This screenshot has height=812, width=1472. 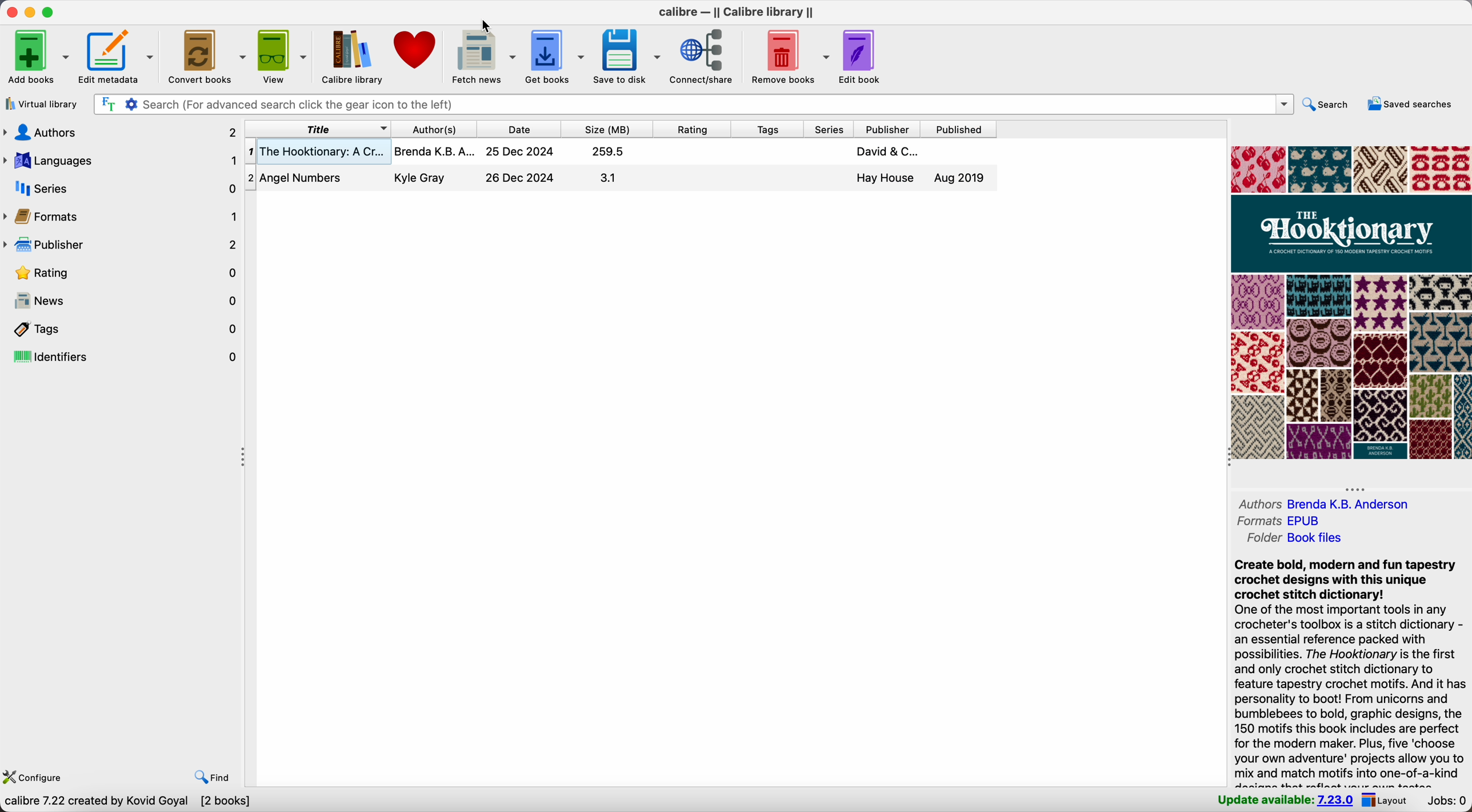 I want to click on view, so click(x=282, y=55).